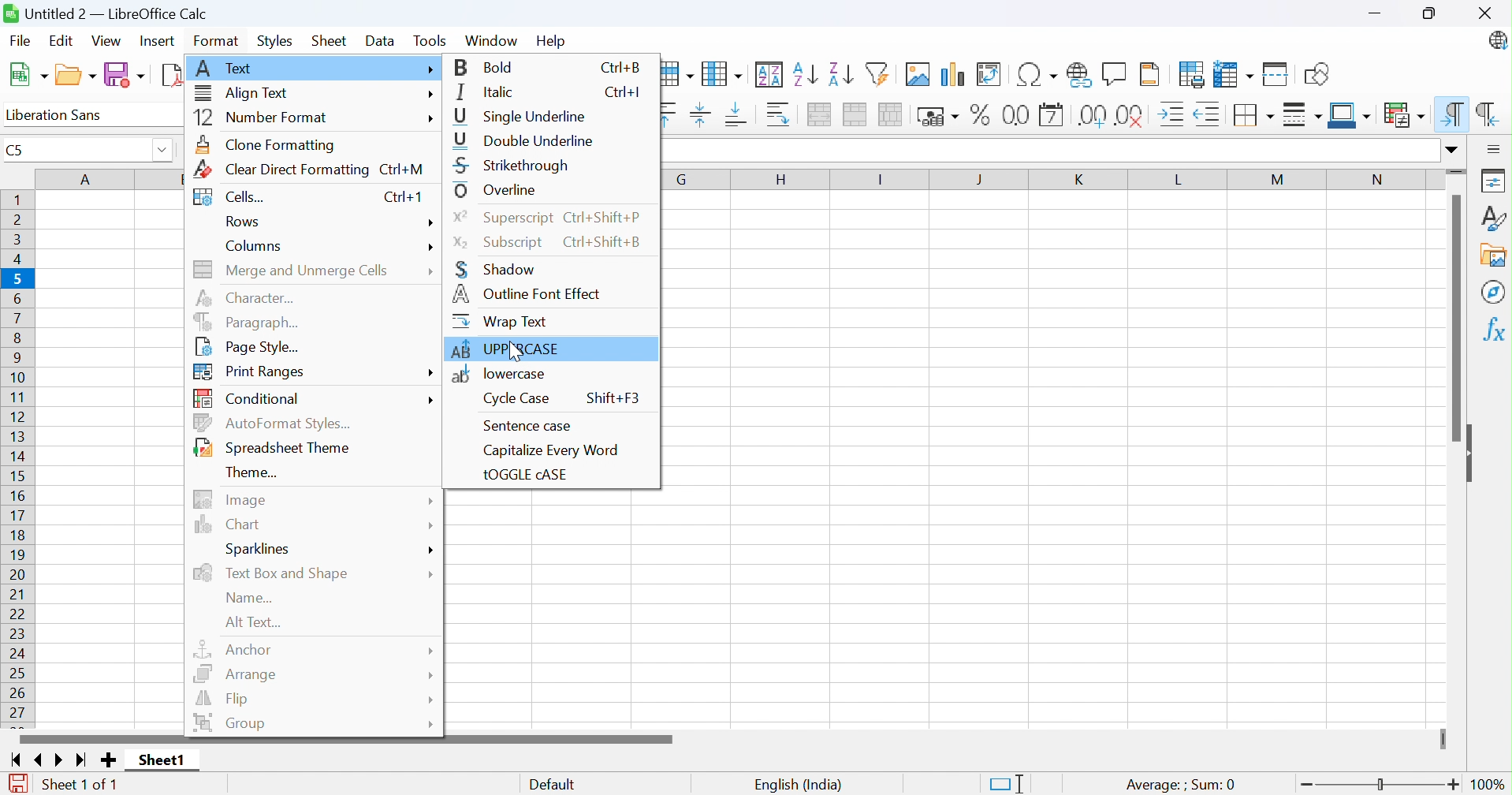 Image resolution: width=1512 pixels, height=795 pixels. Describe the element at coordinates (1094, 117) in the screenshot. I see `Add decimal place` at that location.